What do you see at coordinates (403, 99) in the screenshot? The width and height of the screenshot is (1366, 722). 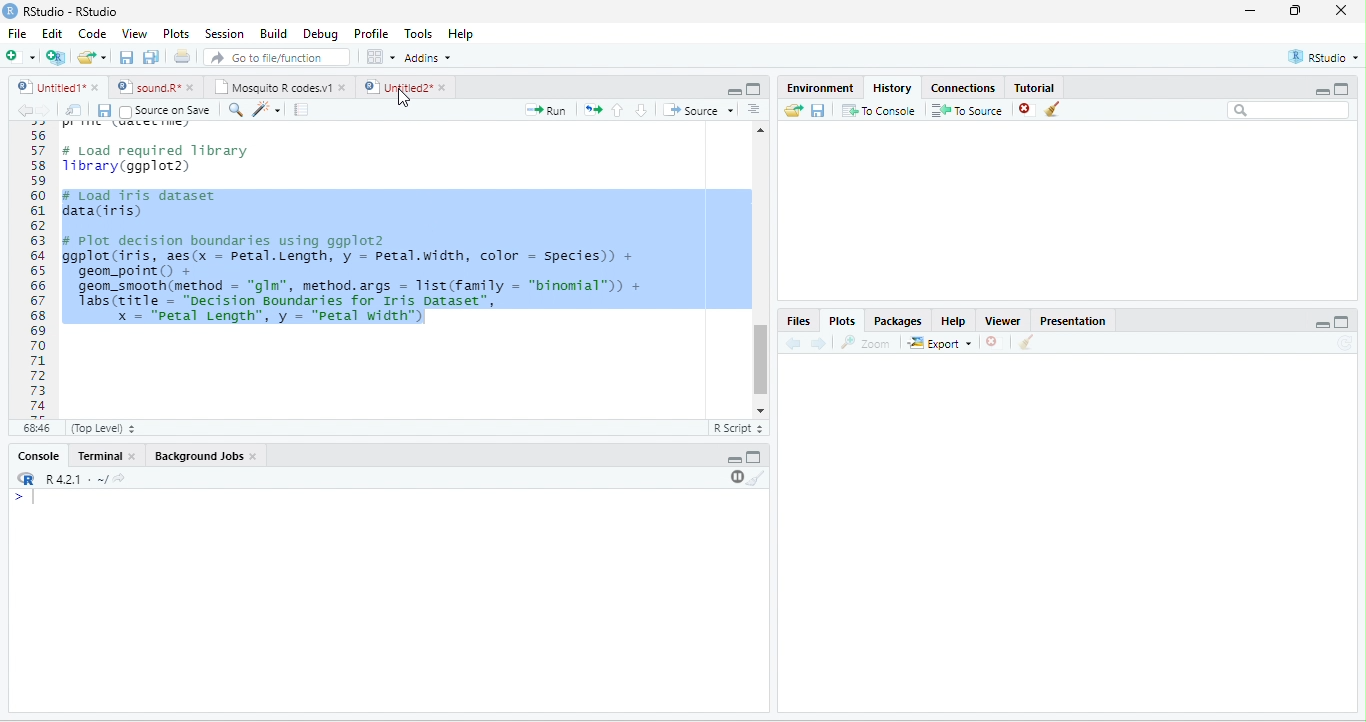 I see `cursor` at bounding box center [403, 99].